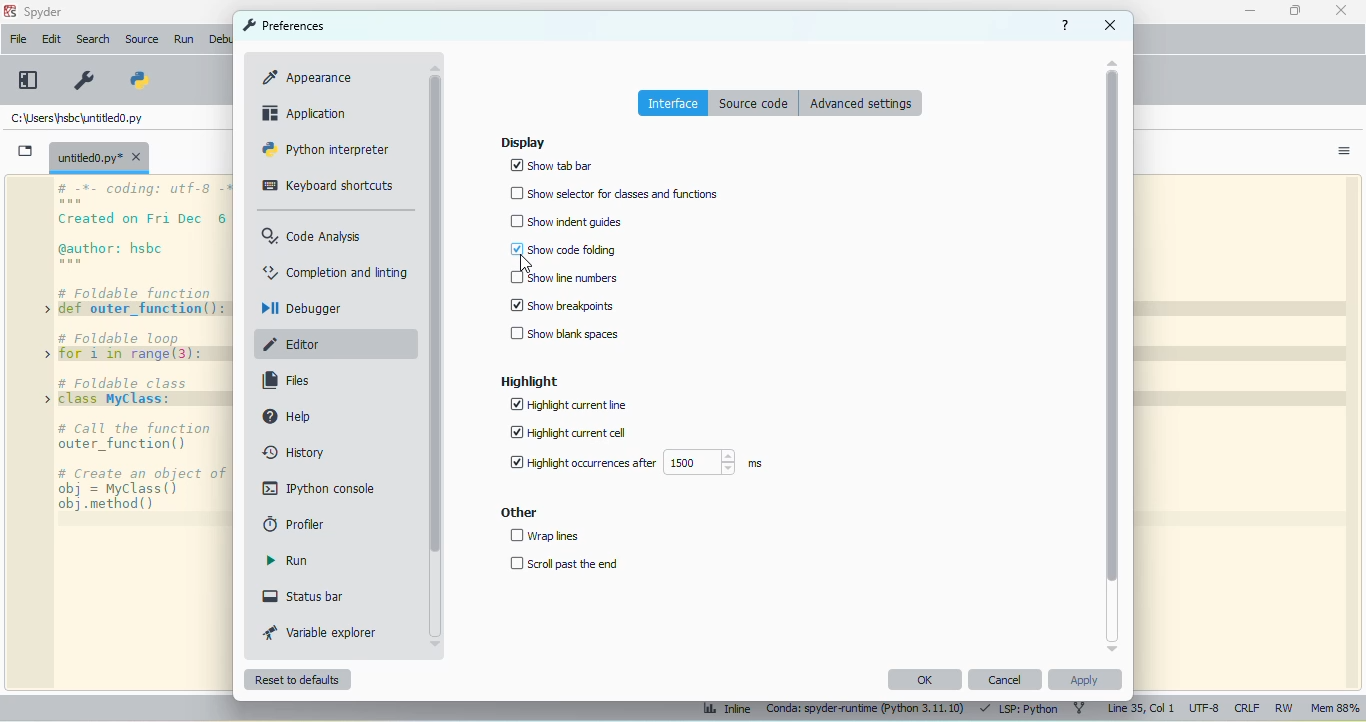  What do you see at coordinates (864, 711) in the screenshot?
I see `conda: spyder-runtime (python 3. 11. 10)` at bounding box center [864, 711].